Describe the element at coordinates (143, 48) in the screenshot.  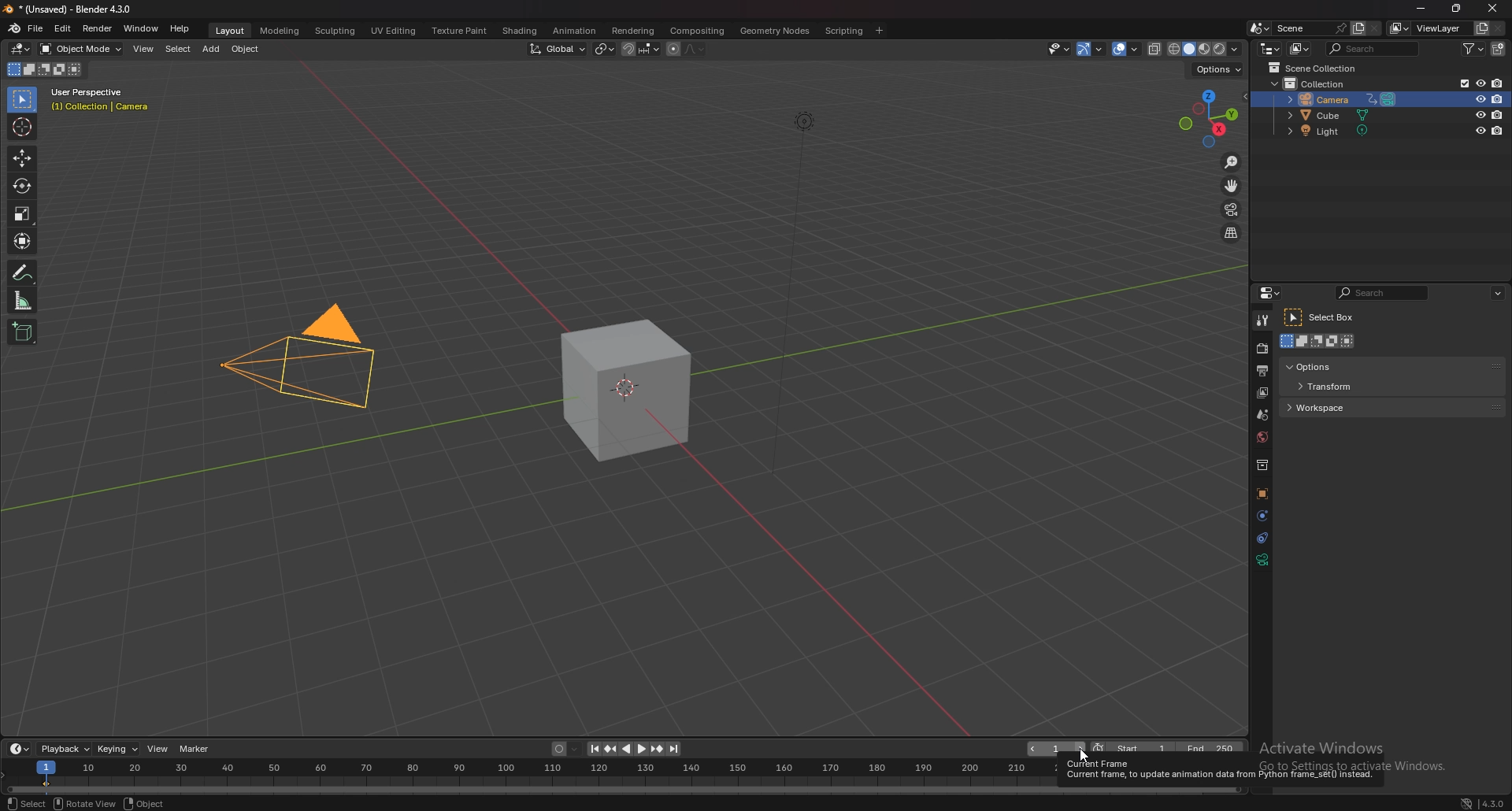
I see `view` at that location.